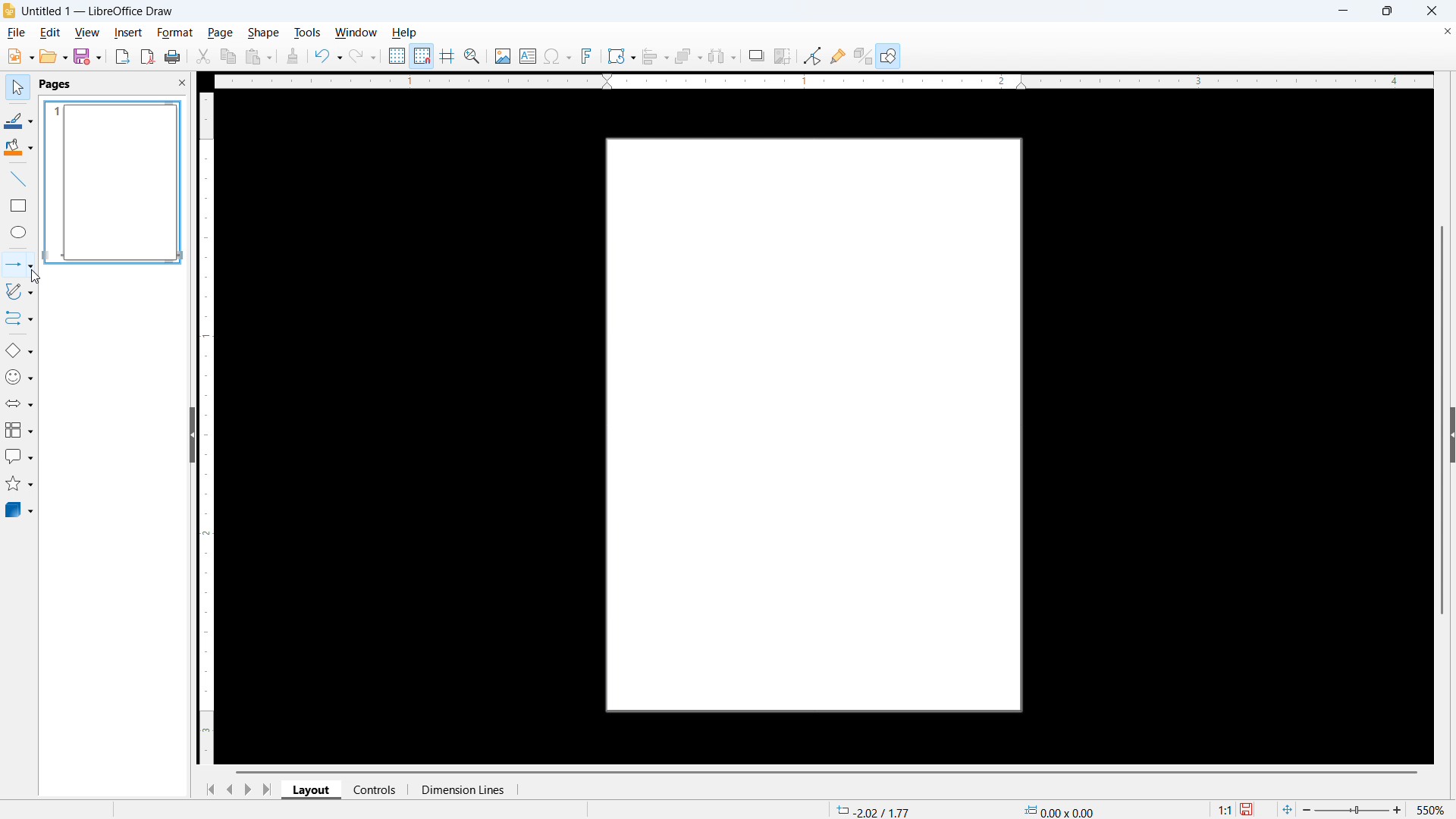 Image resolution: width=1456 pixels, height=819 pixels. What do you see at coordinates (329, 57) in the screenshot?
I see `Undo ` at bounding box center [329, 57].